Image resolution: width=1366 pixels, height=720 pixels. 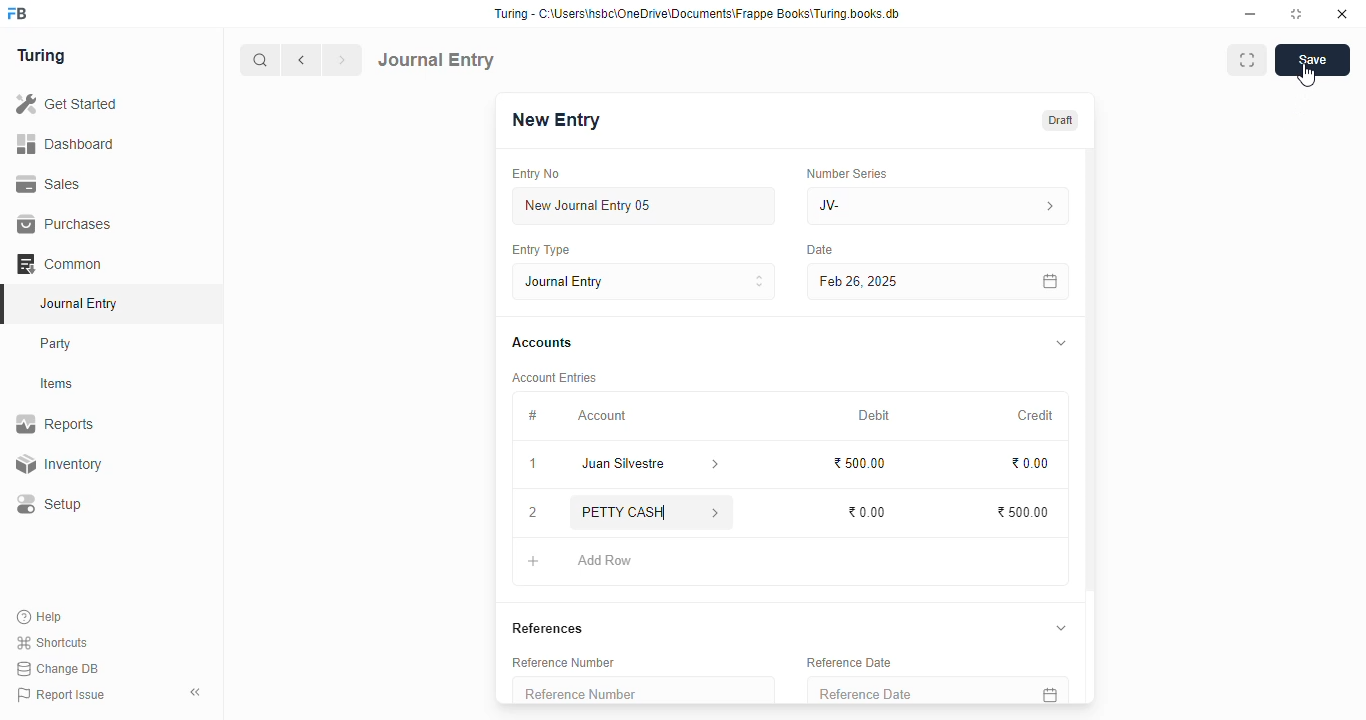 I want to click on 1, so click(x=535, y=466).